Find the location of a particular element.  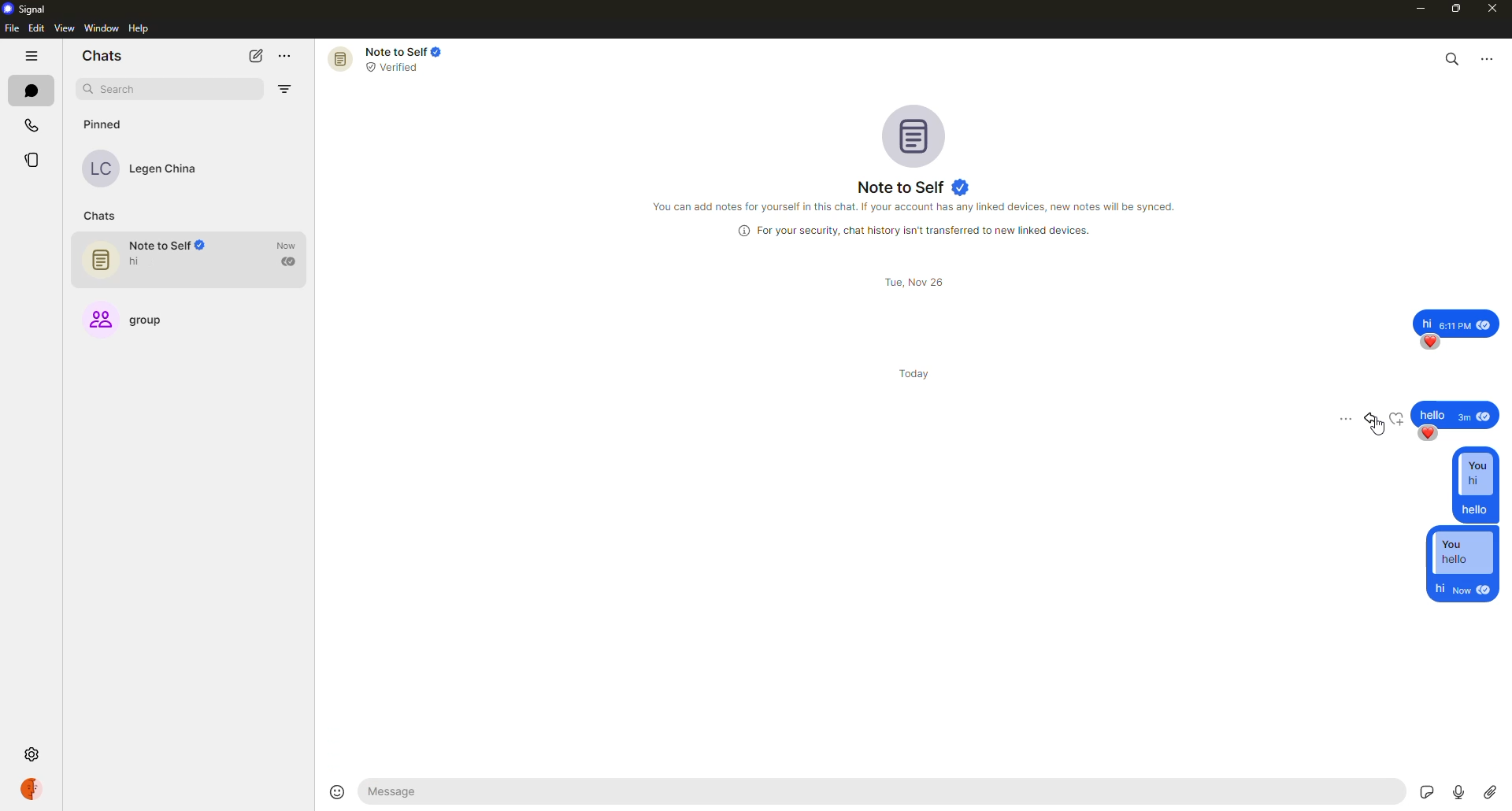

search is located at coordinates (1453, 57).